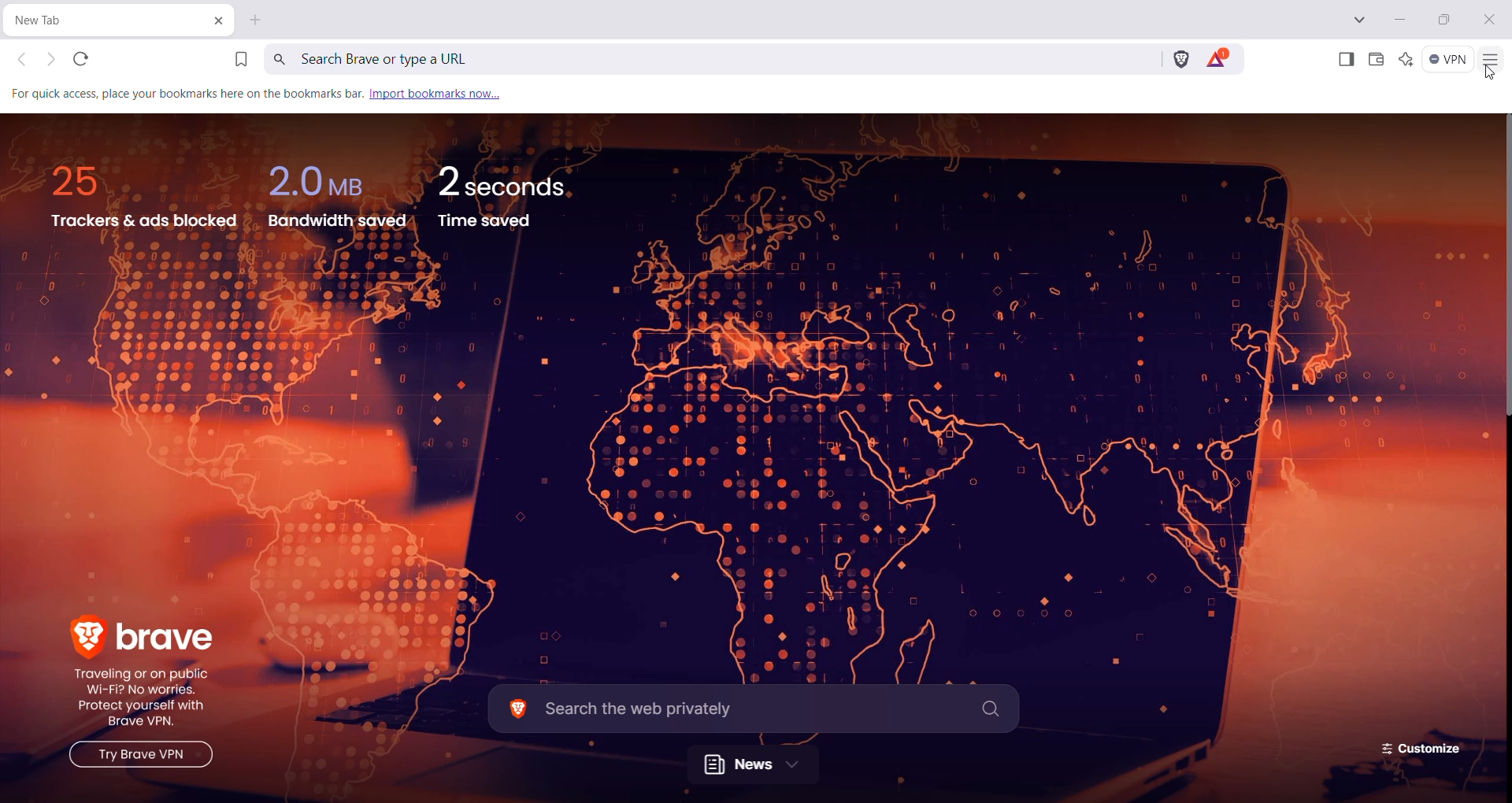  Describe the element at coordinates (150, 198) in the screenshot. I see `25ntrackers and ads blocked` at that location.